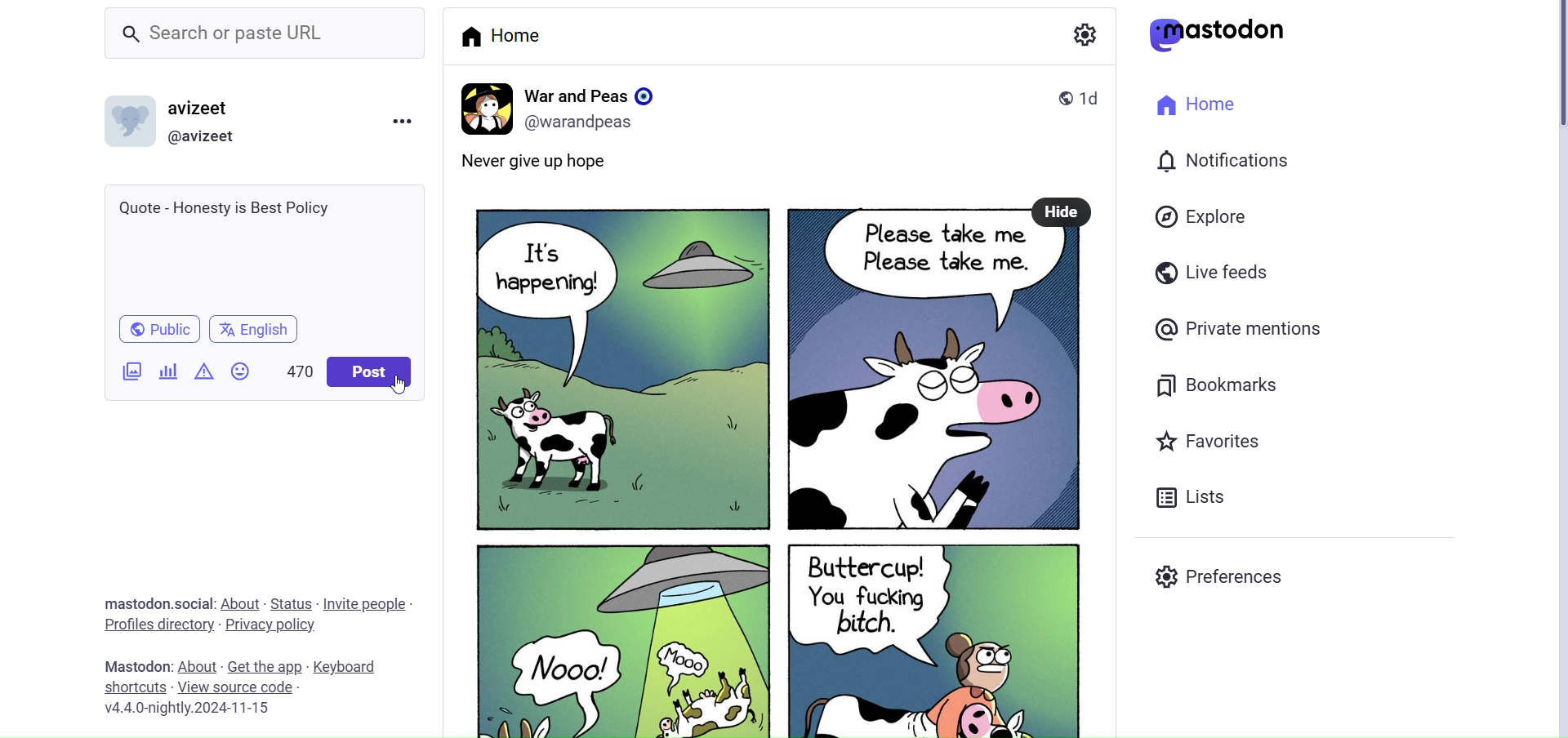 The width and height of the screenshot is (1568, 738). Describe the element at coordinates (1224, 34) in the screenshot. I see `mastodon` at that location.